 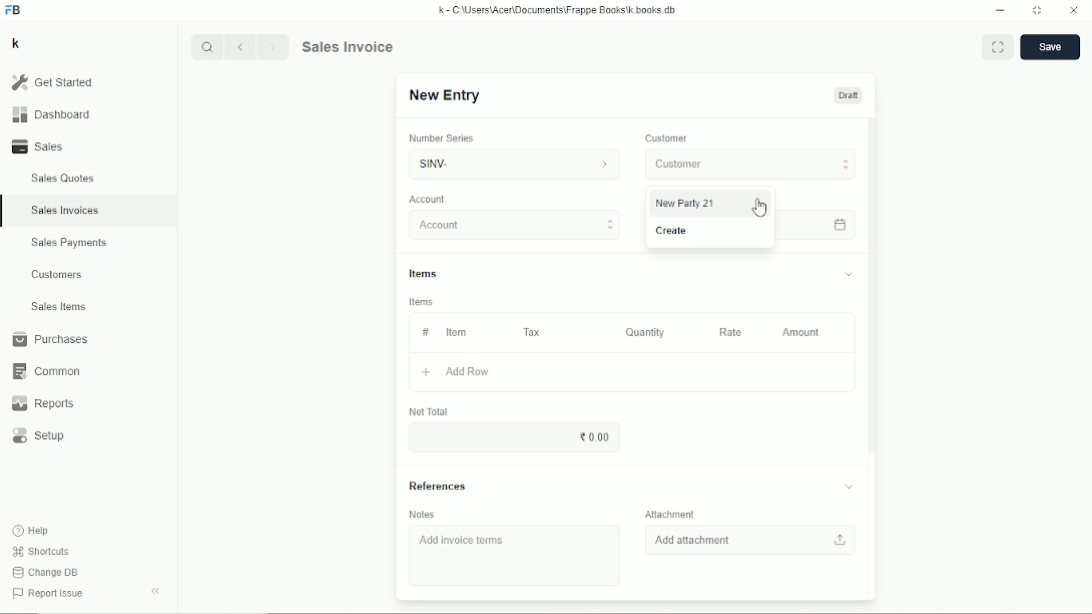 I want to click on References, so click(x=633, y=486).